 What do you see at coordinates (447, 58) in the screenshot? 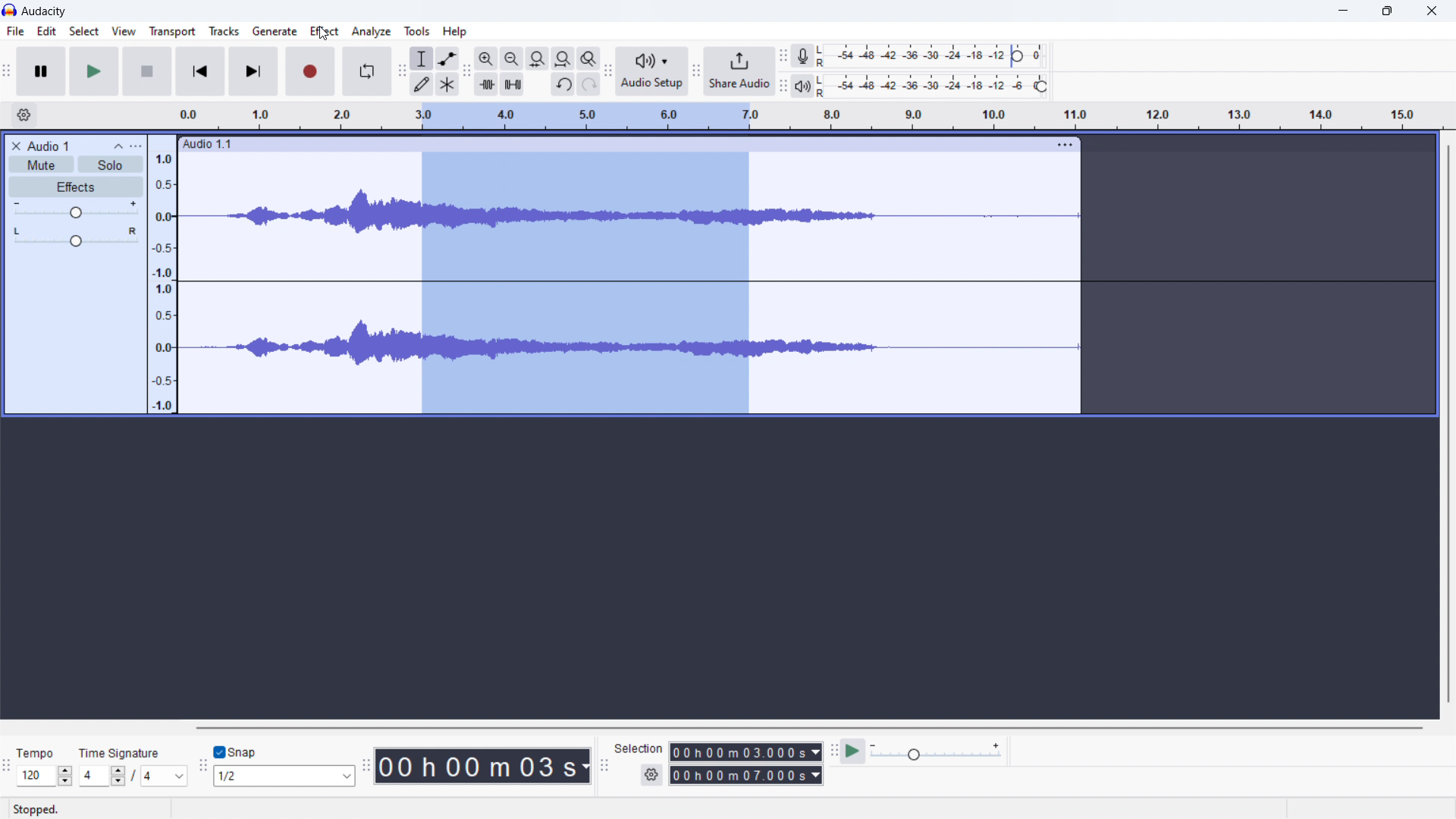
I see `envelop tool` at bounding box center [447, 58].